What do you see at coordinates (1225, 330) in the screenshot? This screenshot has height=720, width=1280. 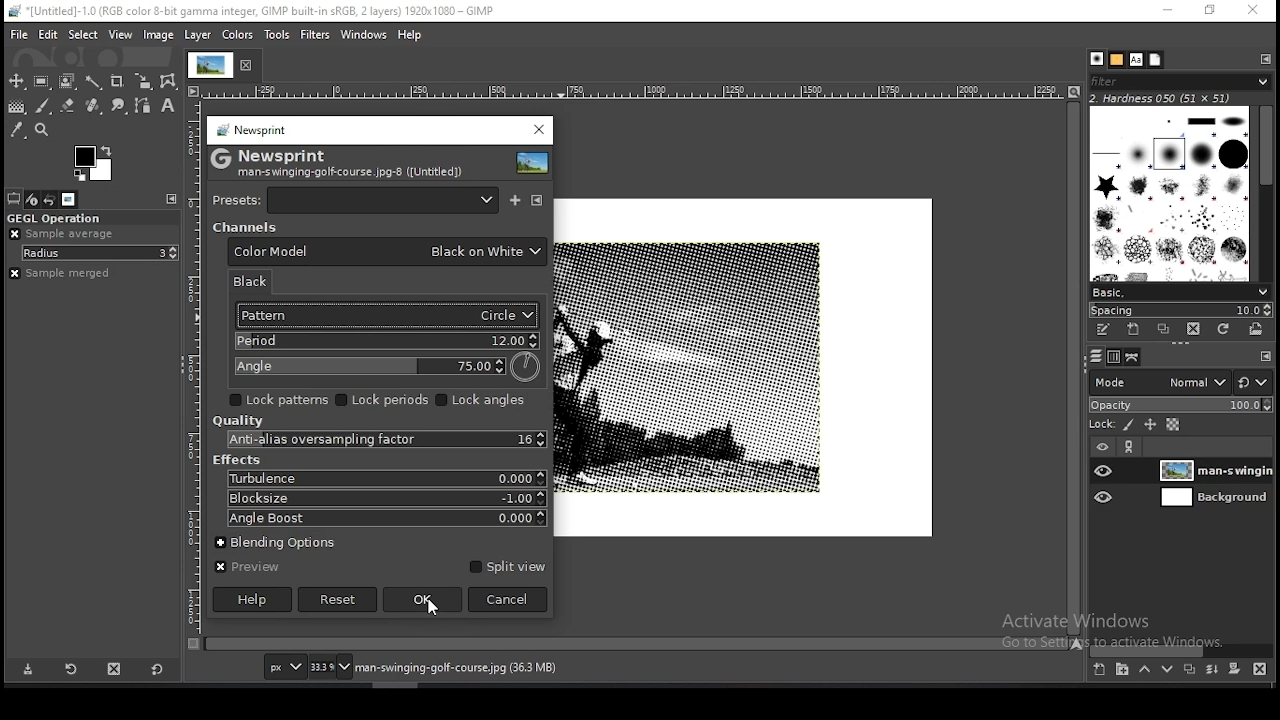 I see `refresh brushes` at bounding box center [1225, 330].